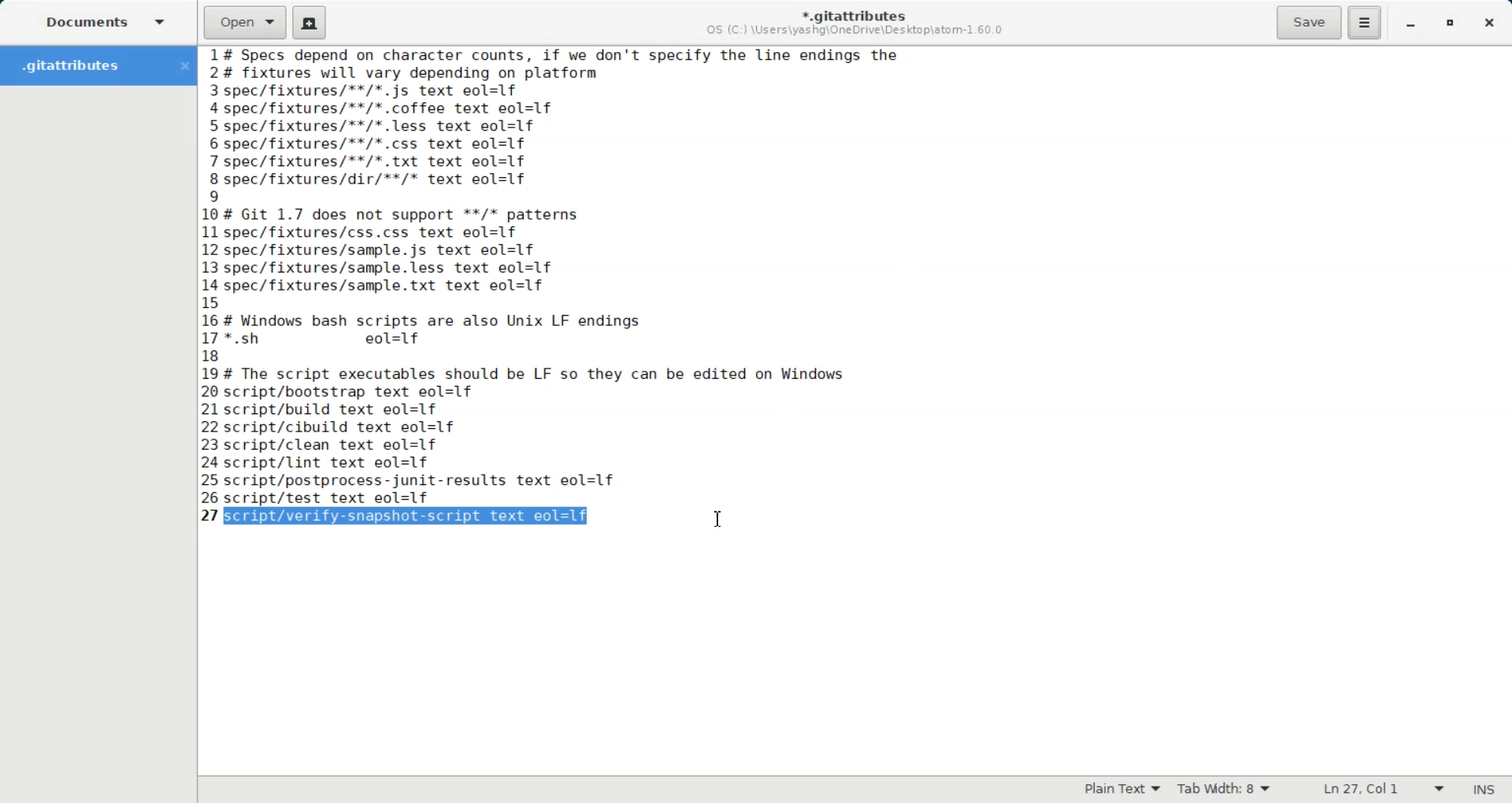 Image resolution: width=1512 pixels, height=803 pixels. Describe the element at coordinates (82, 65) in the screenshot. I see `Folder` at that location.